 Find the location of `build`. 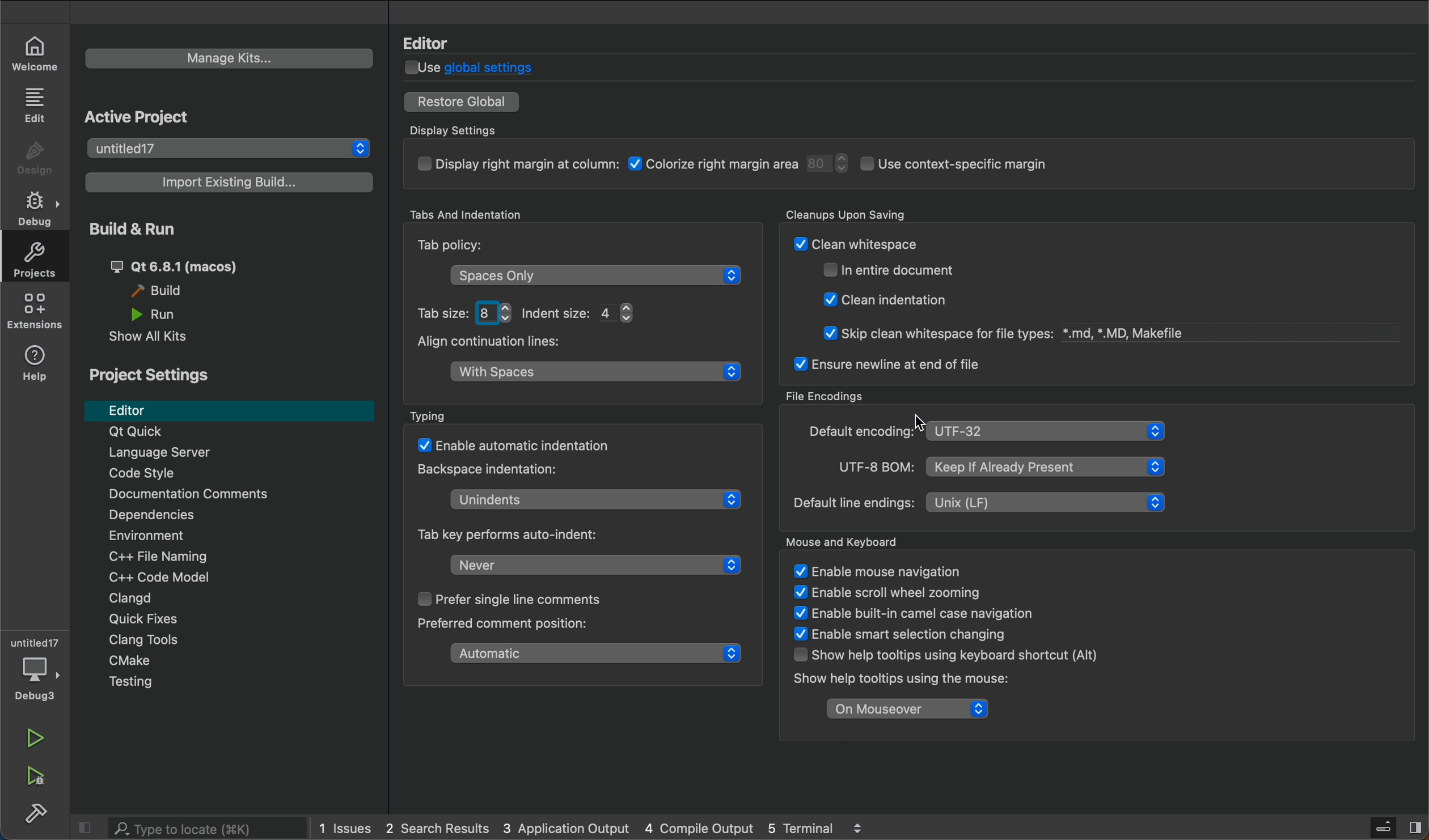

build is located at coordinates (40, 813).